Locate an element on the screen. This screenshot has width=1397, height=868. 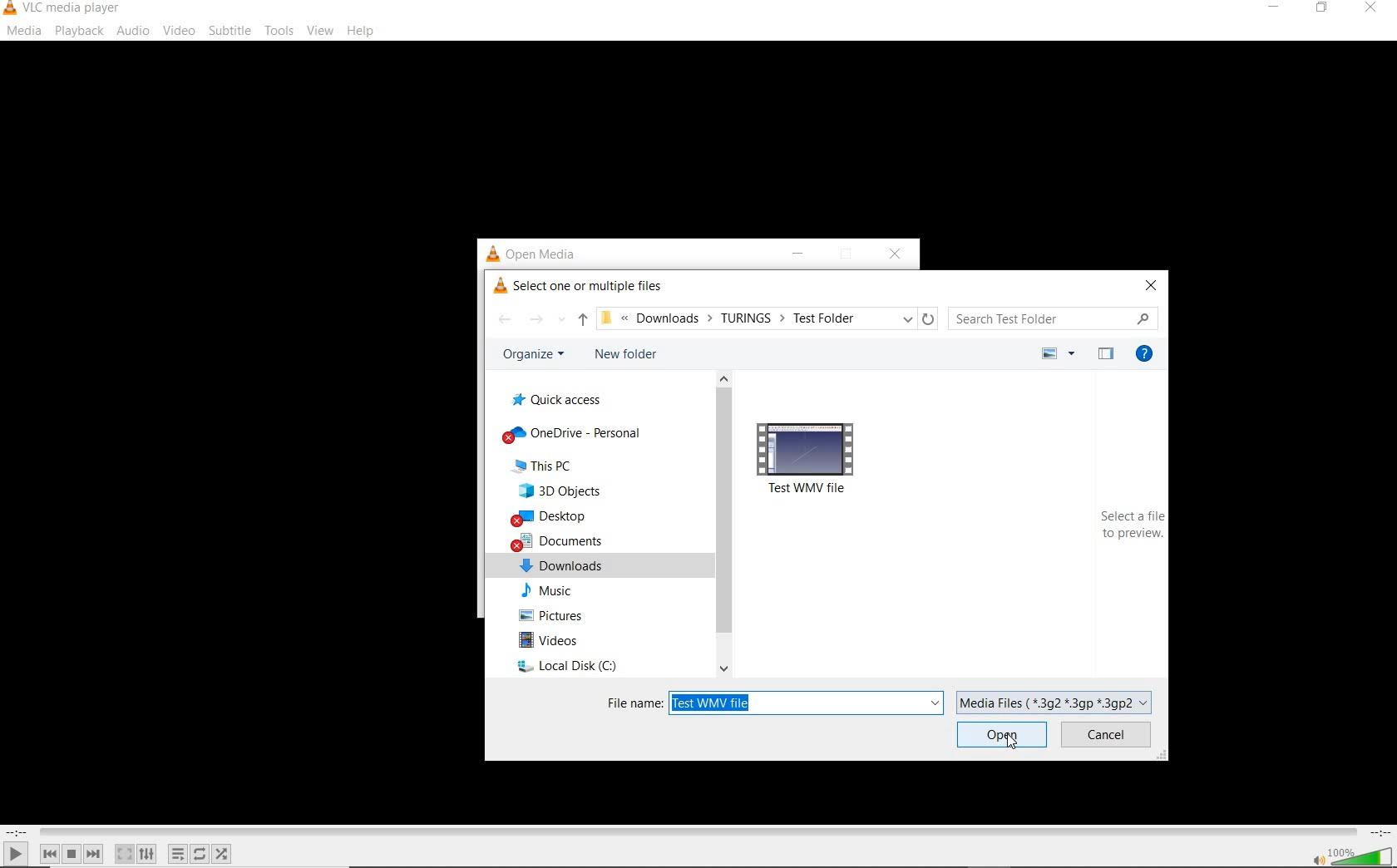
documents is located at coordinates (567, 544).